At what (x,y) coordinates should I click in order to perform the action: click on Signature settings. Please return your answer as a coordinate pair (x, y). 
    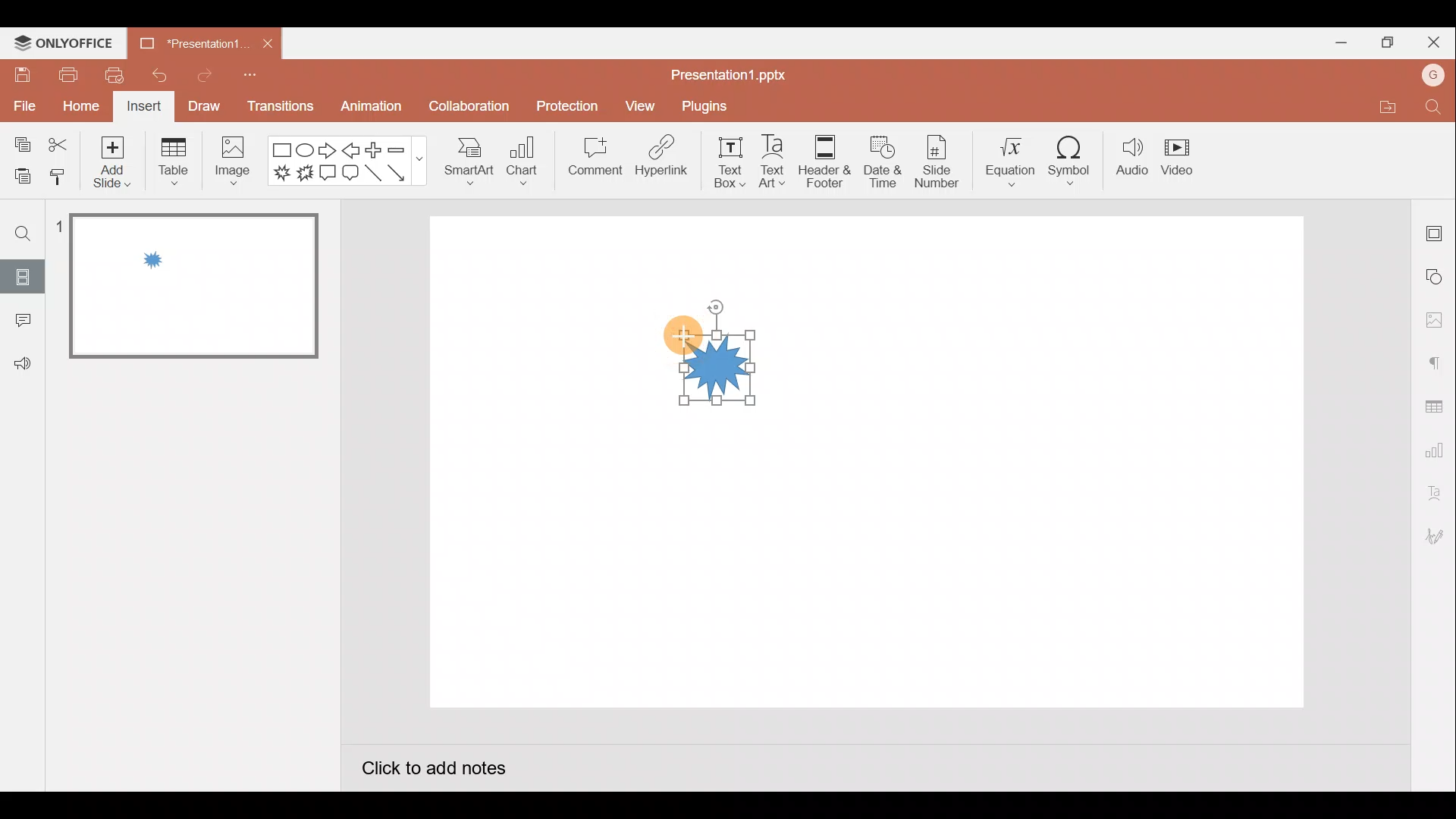
    Looking at the image, I should click on (1437, 535).